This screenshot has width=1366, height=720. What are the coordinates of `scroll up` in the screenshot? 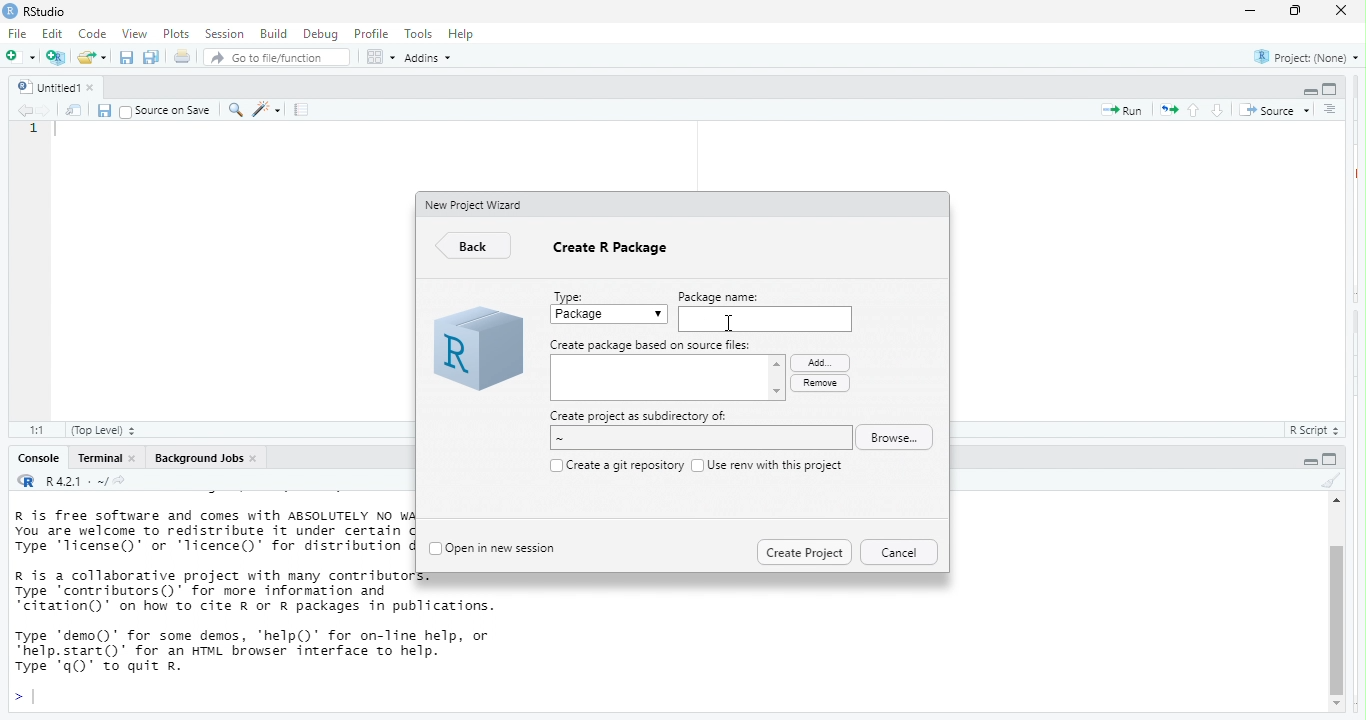 It's located at (1334, 503).